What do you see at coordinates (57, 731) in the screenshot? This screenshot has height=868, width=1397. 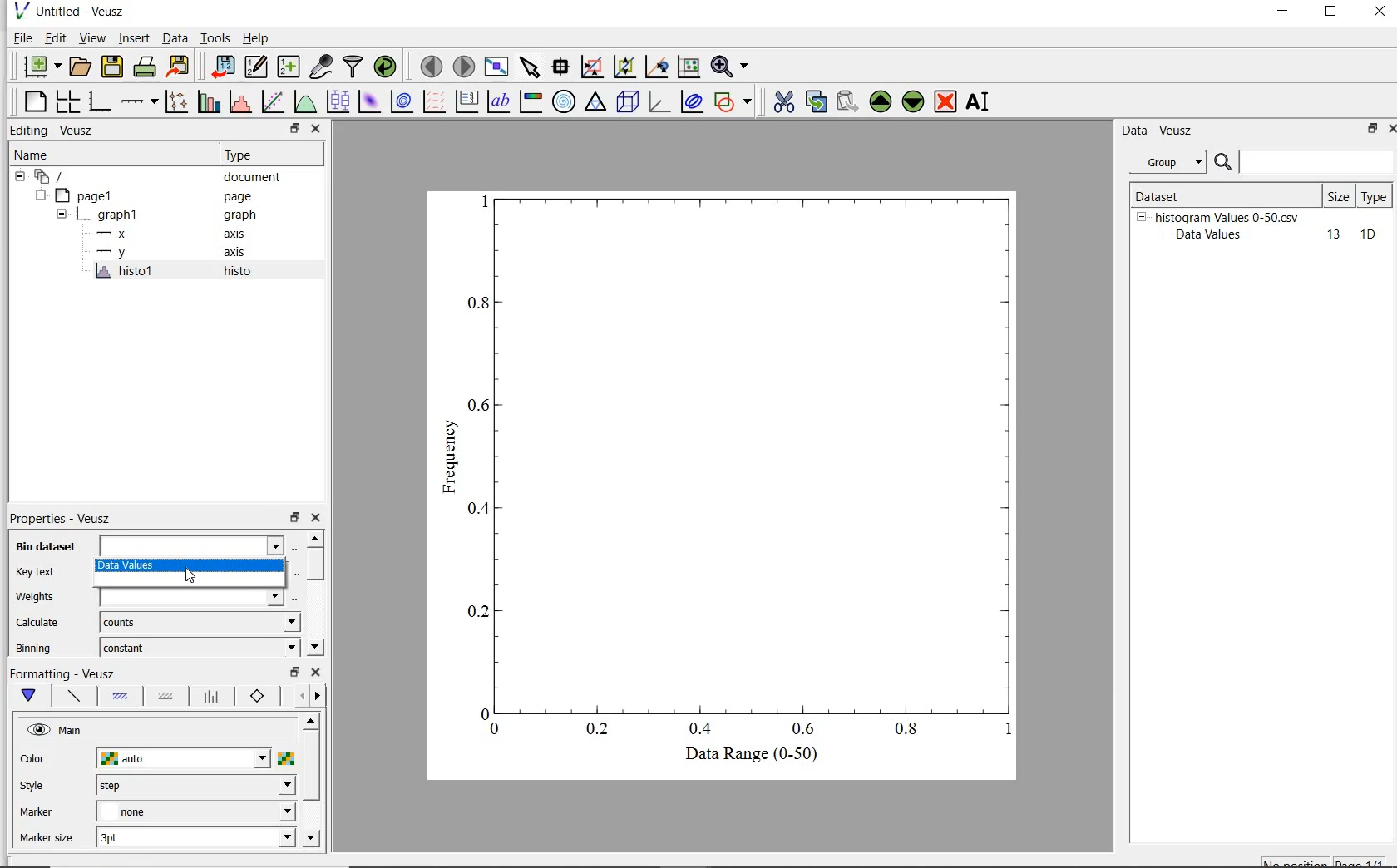 I see `hide main` at bounding box center [57, 731].